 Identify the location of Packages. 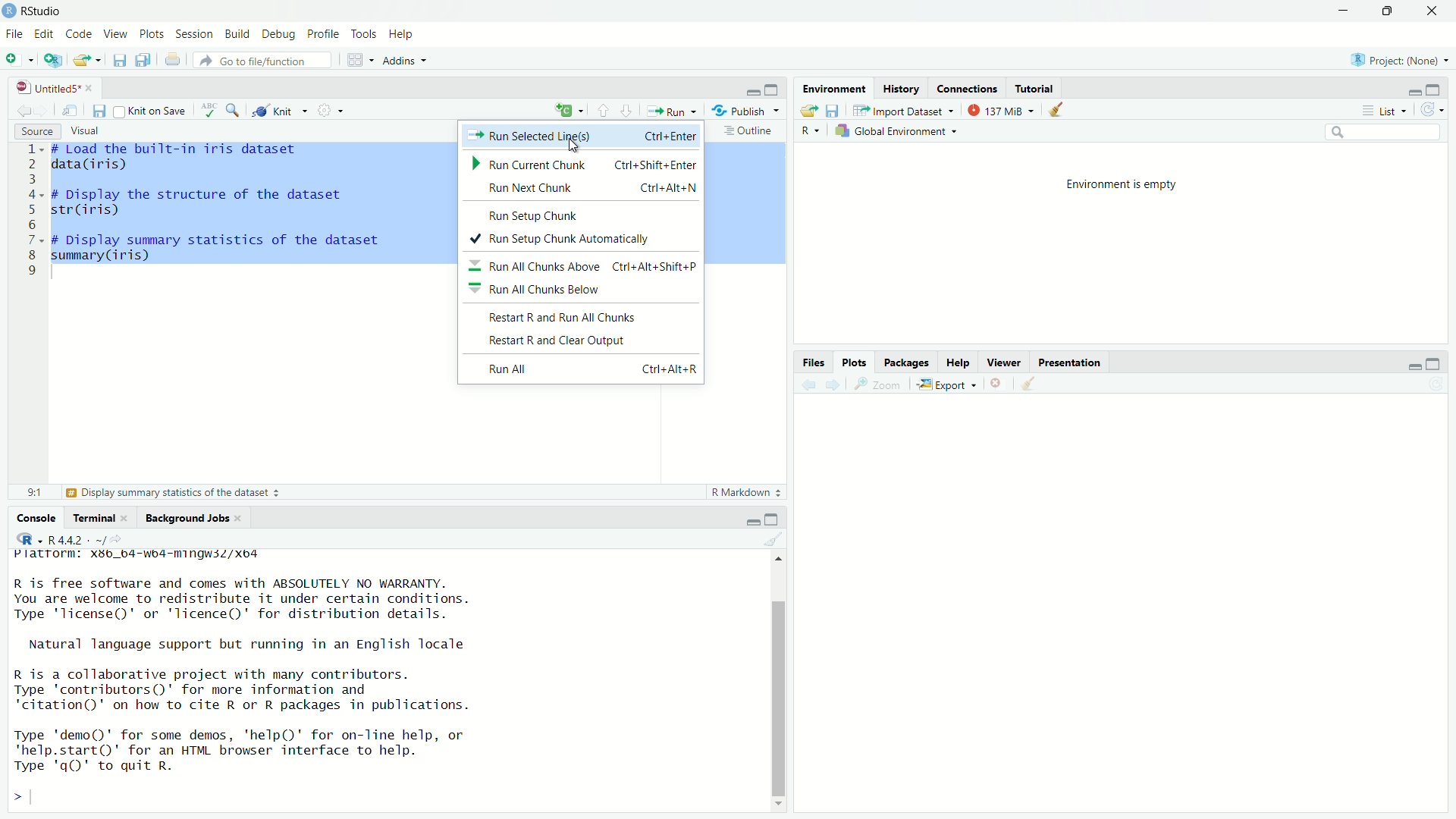
(907, 361).